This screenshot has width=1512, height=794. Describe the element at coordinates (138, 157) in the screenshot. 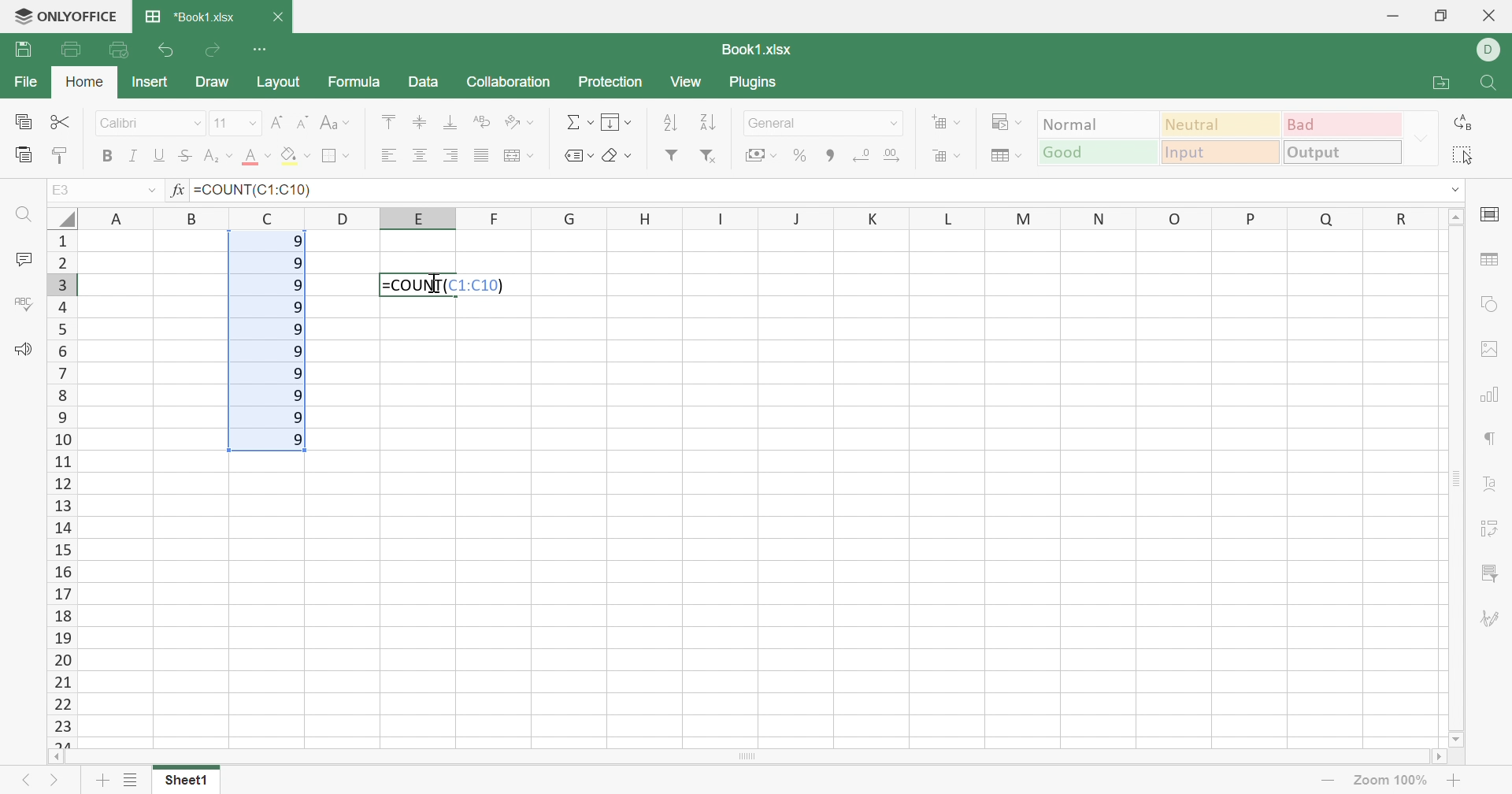

I see `Italic` at that location.